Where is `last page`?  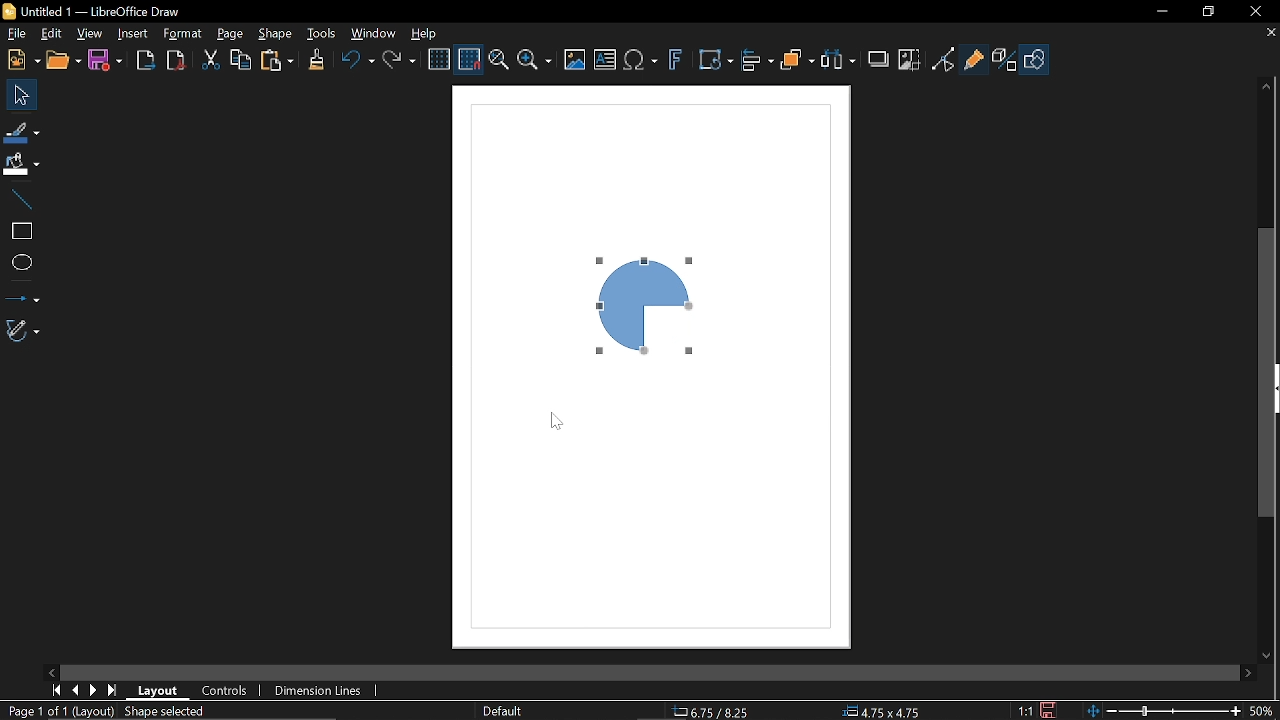 last page is located at coordinates (114, 691).